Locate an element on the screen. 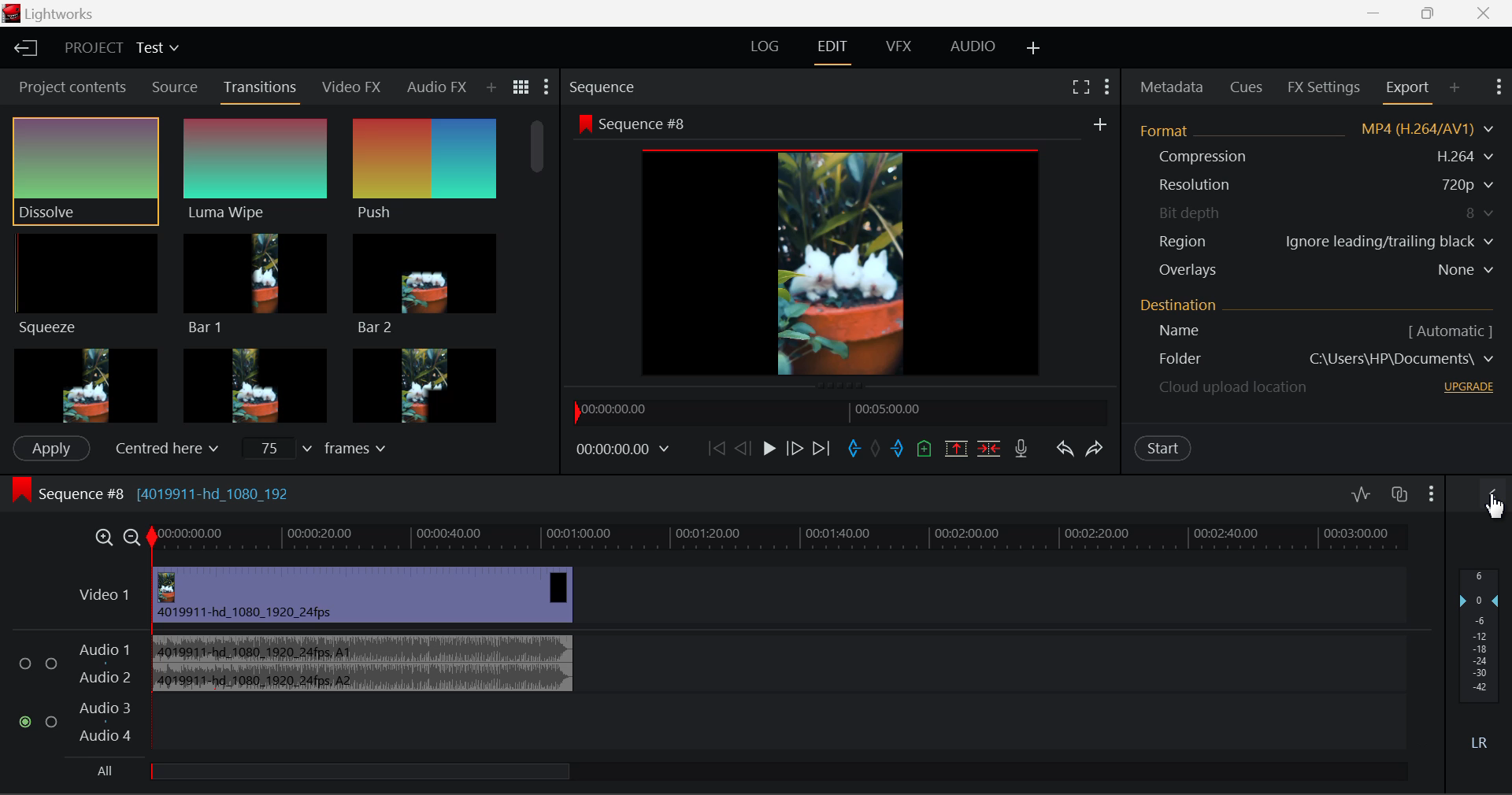  EDIT Layout is located at coordinates (836, 50).